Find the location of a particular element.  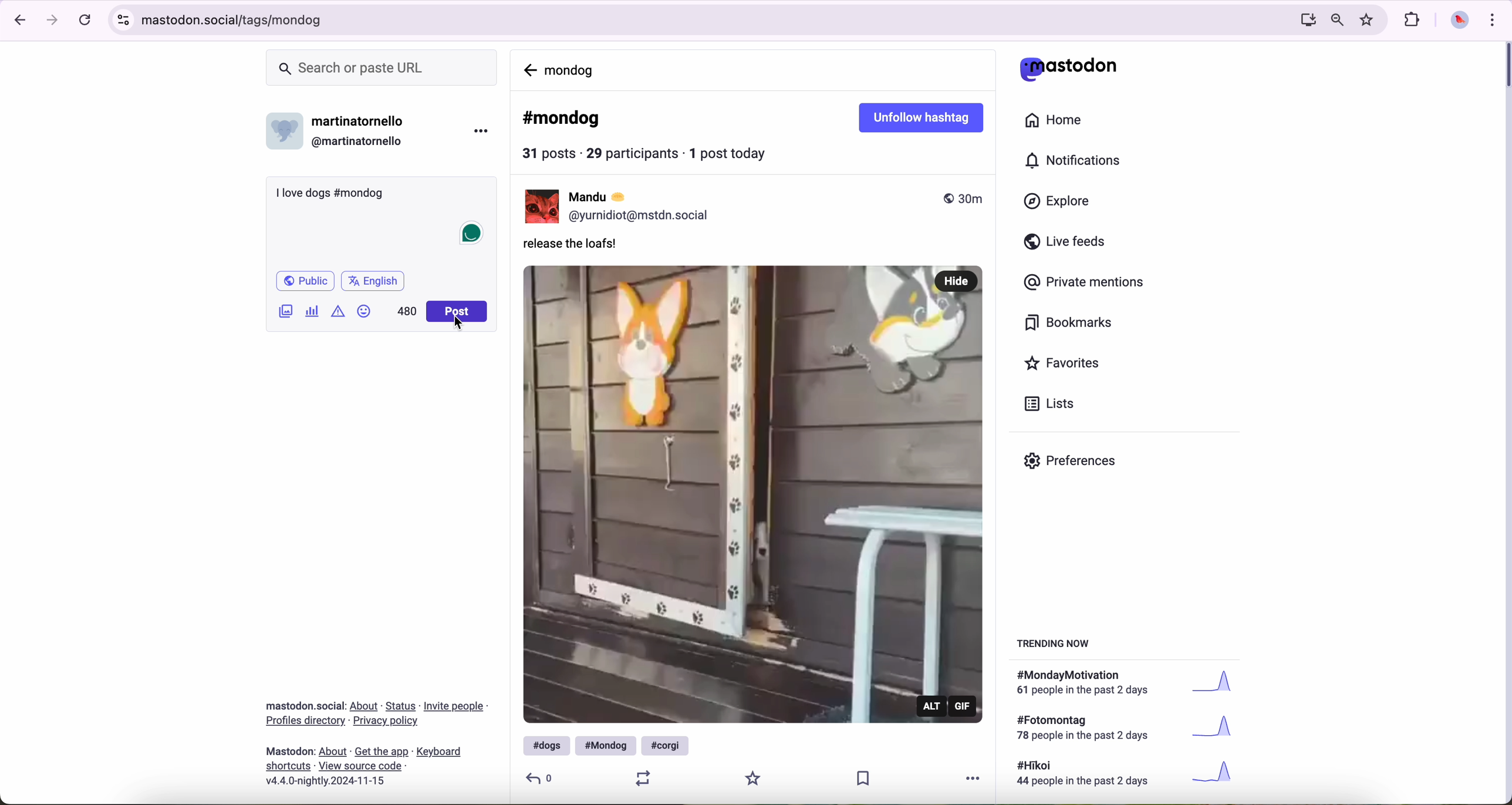

link is located at coordinates (401, 707).